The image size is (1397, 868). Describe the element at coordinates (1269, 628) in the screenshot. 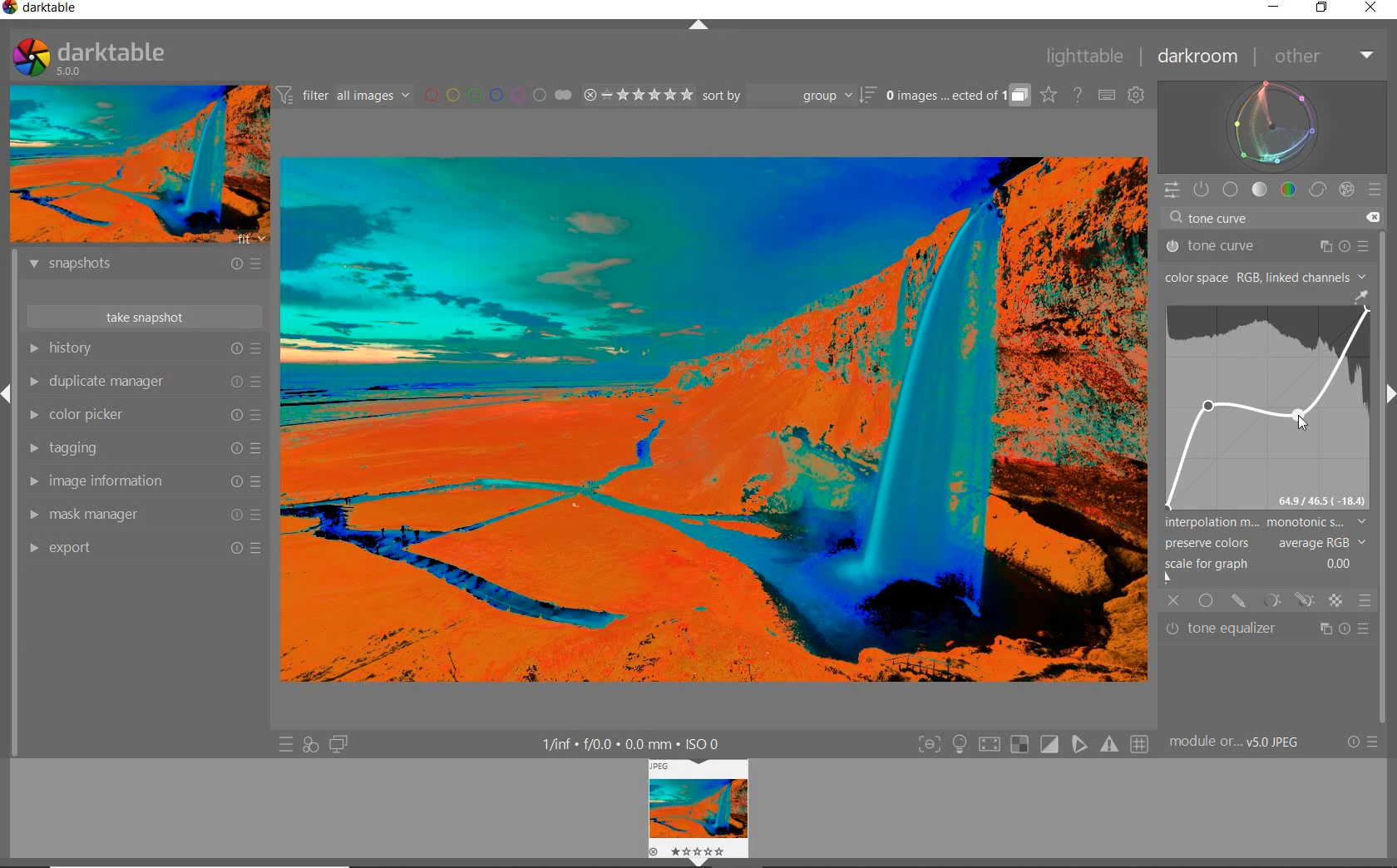

I see `tone equalizer` at that location.